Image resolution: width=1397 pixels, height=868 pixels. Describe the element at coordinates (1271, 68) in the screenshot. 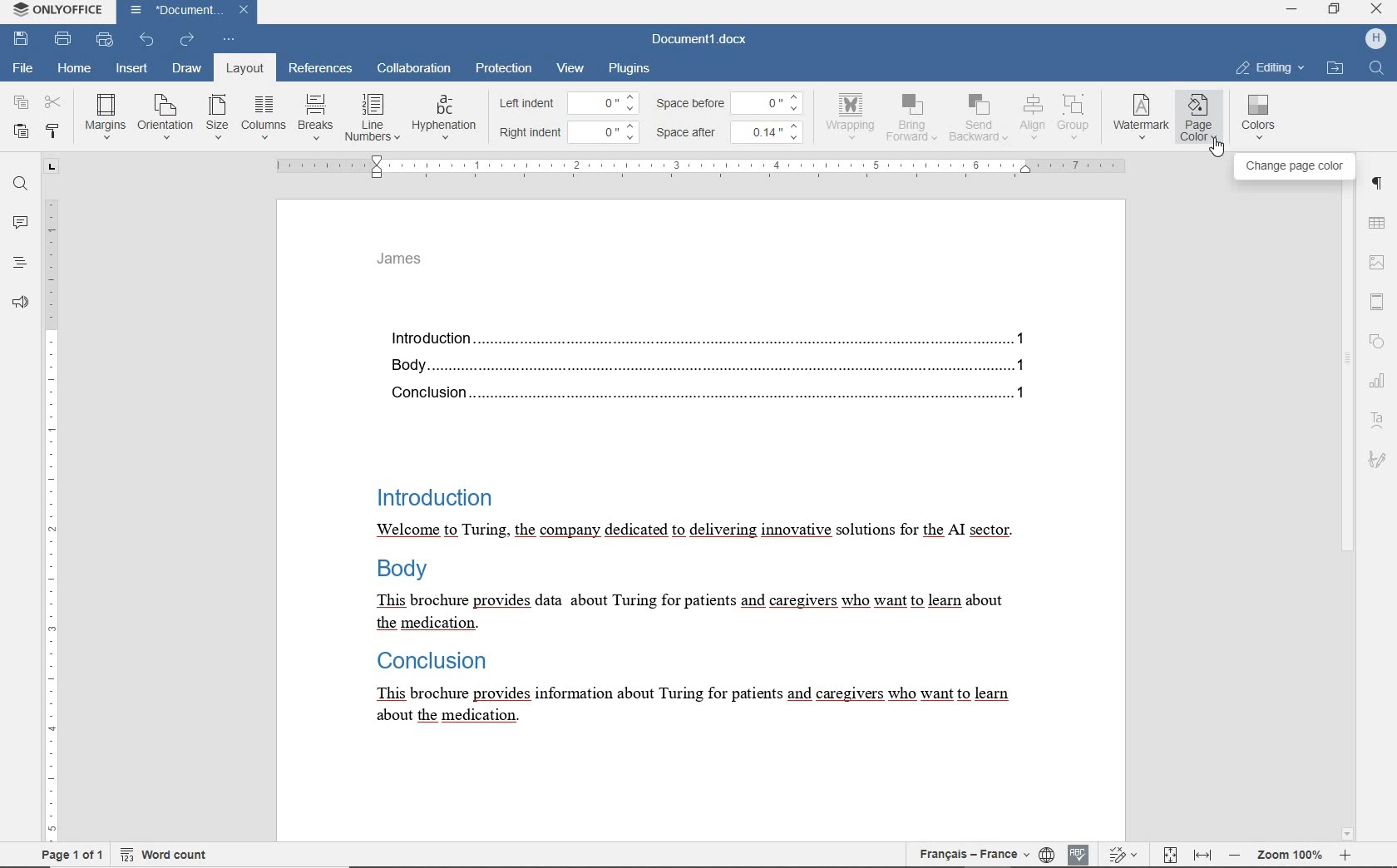

I see `EDITING` at that location.